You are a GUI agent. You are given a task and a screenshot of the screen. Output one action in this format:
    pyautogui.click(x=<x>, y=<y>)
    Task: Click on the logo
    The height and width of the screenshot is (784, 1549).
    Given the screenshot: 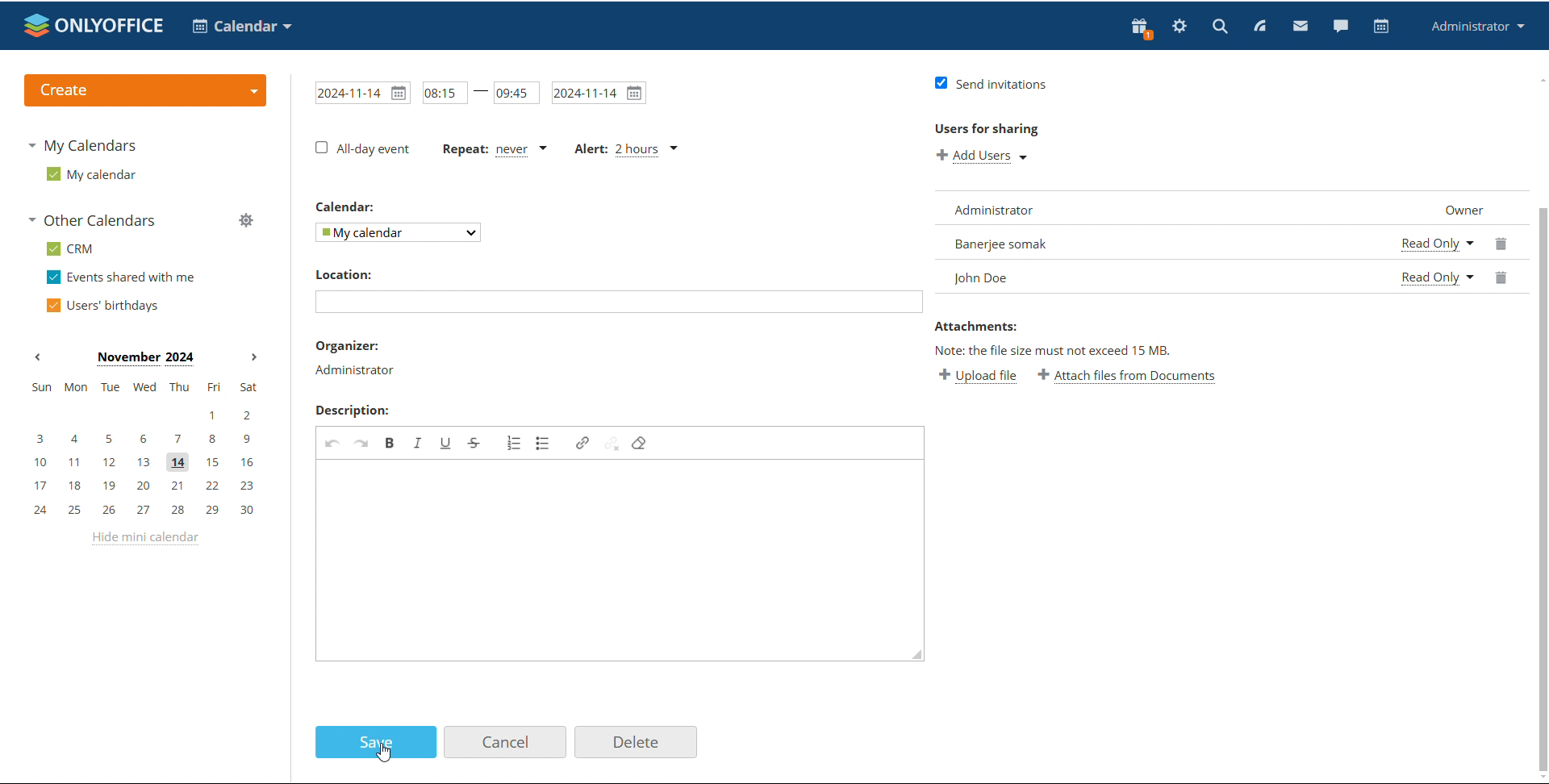 What is the action you would take?
    pyautogui.click(x=94, y=25)
    